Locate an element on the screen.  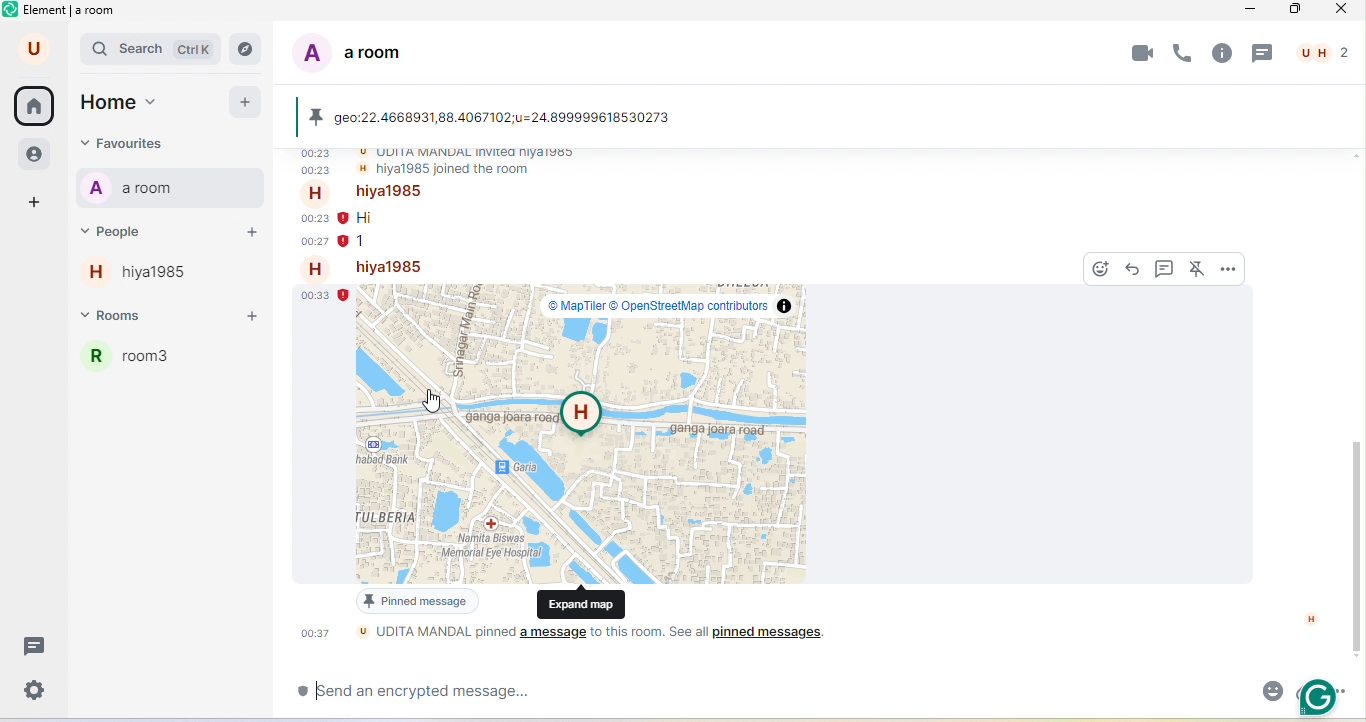
h is located at coordinates (320, 194).